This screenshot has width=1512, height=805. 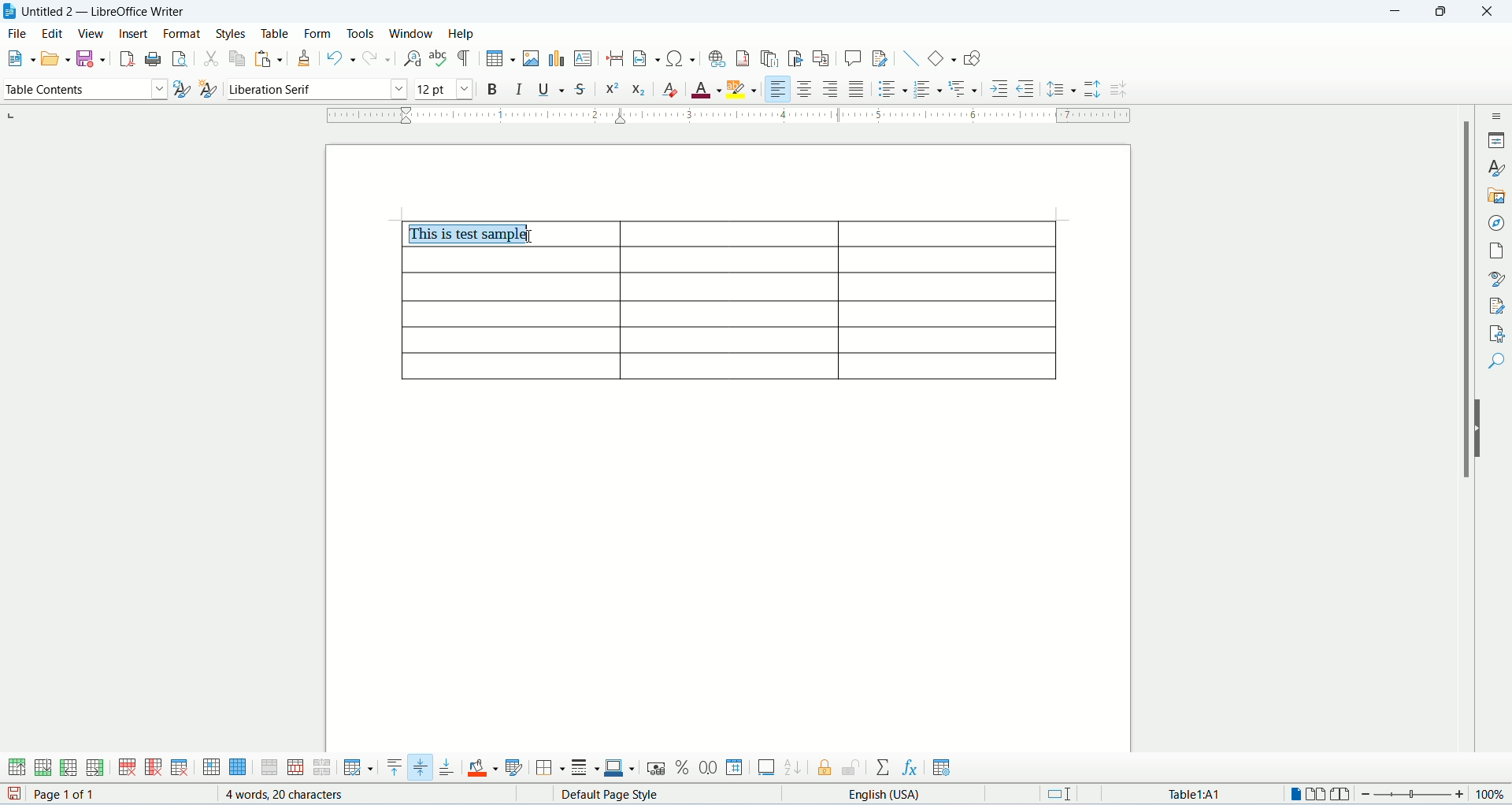 I want to click on properties, so click(x=1498, y=141).